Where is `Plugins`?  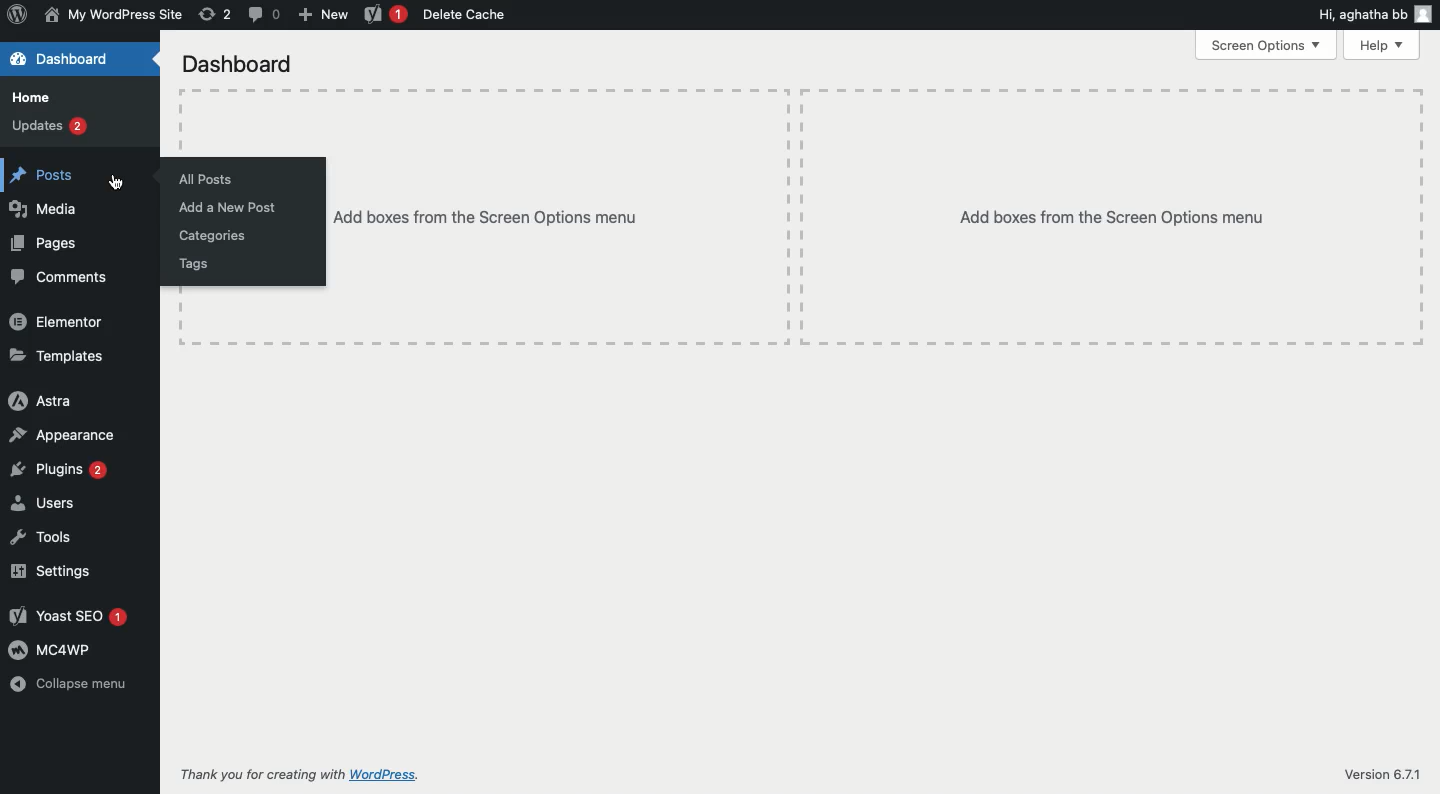 Plugins is located at coordinates (61, 470).